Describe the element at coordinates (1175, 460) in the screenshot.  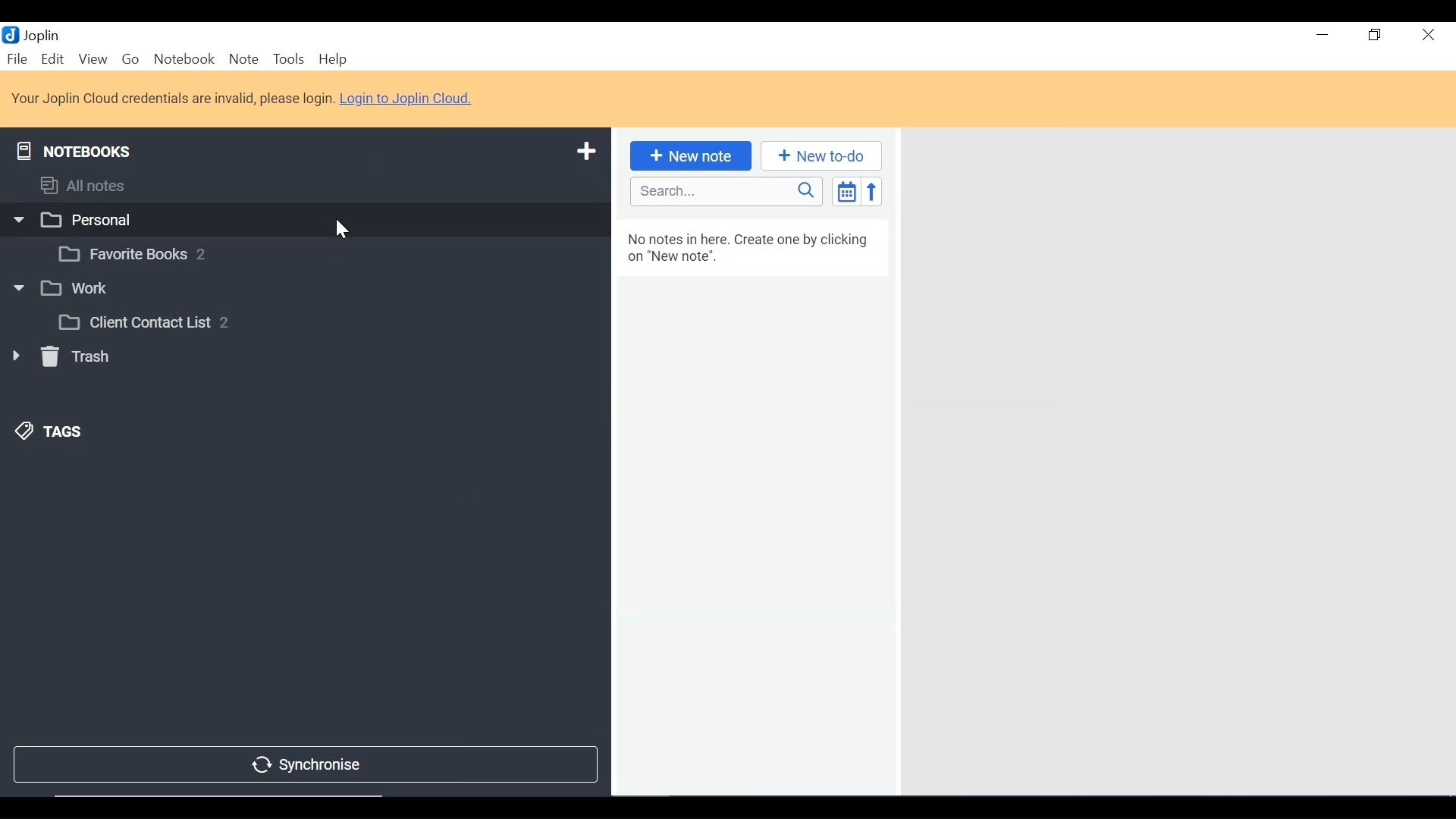
I see `Note View` at that location.